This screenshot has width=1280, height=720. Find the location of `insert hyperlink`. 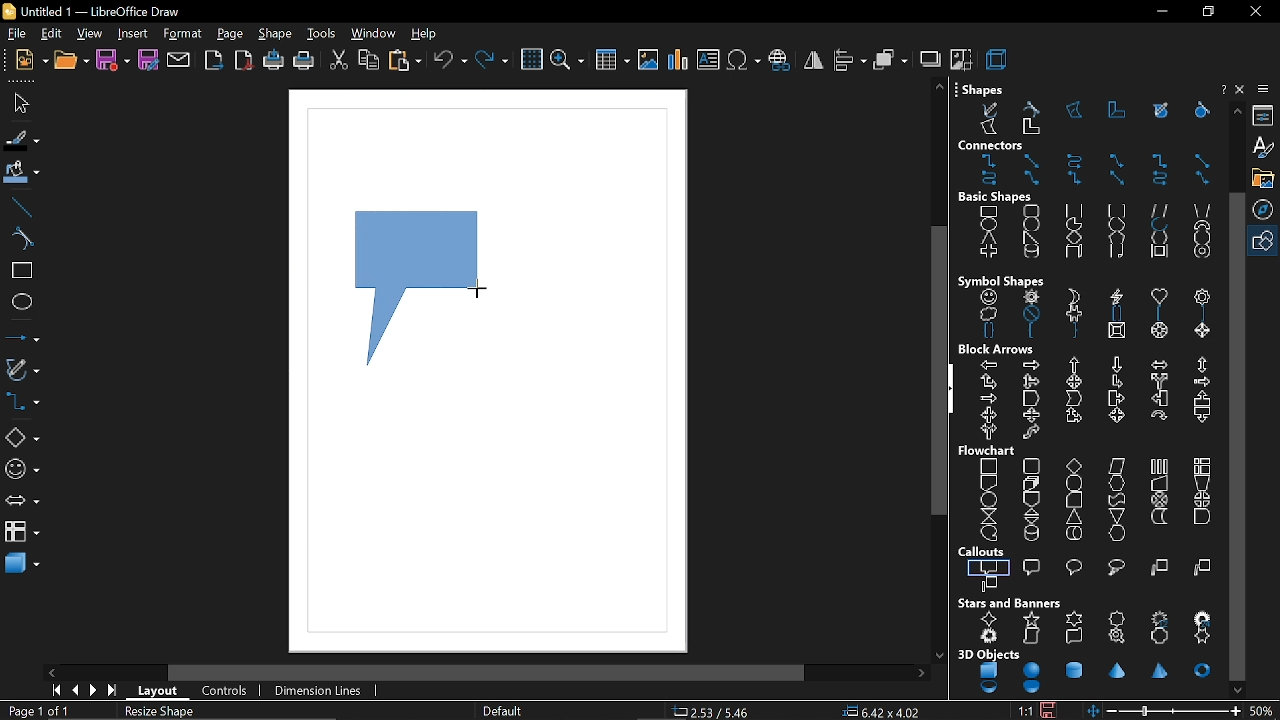

insert hyperlink is located at coordinates (779, 61).